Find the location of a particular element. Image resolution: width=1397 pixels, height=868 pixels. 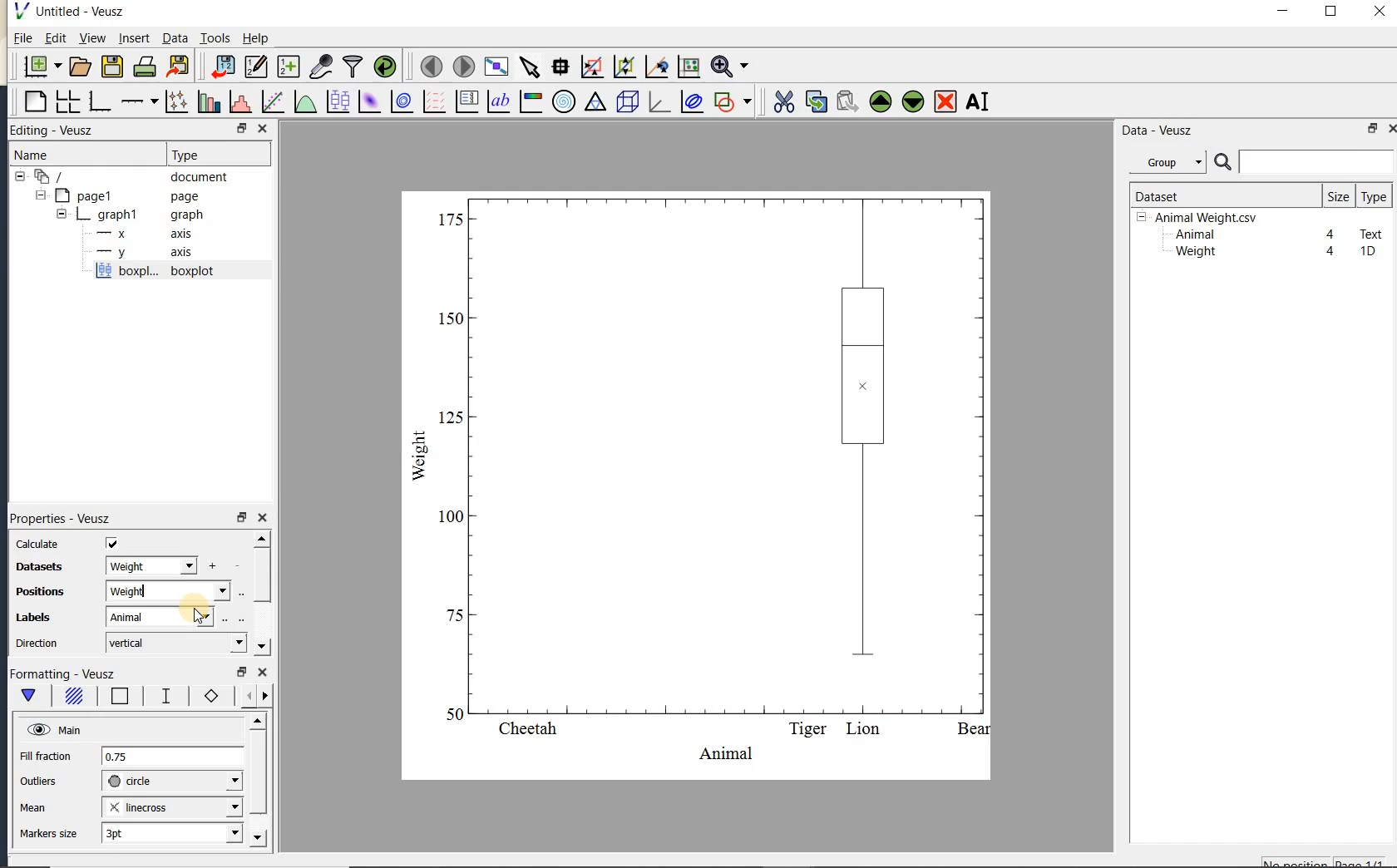

capture remote data is located at coordinates (321, 66).